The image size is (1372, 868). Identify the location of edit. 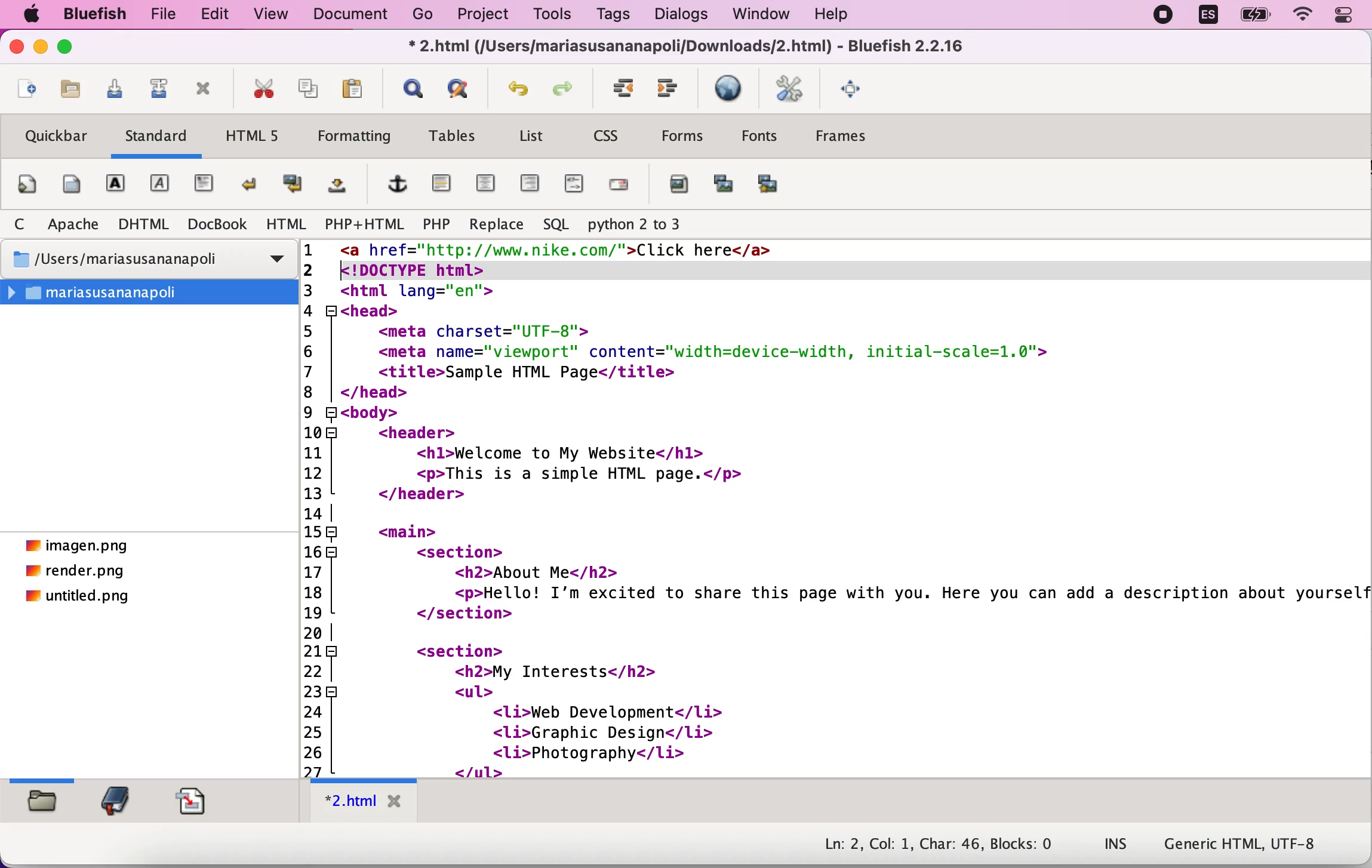
(217, 14).